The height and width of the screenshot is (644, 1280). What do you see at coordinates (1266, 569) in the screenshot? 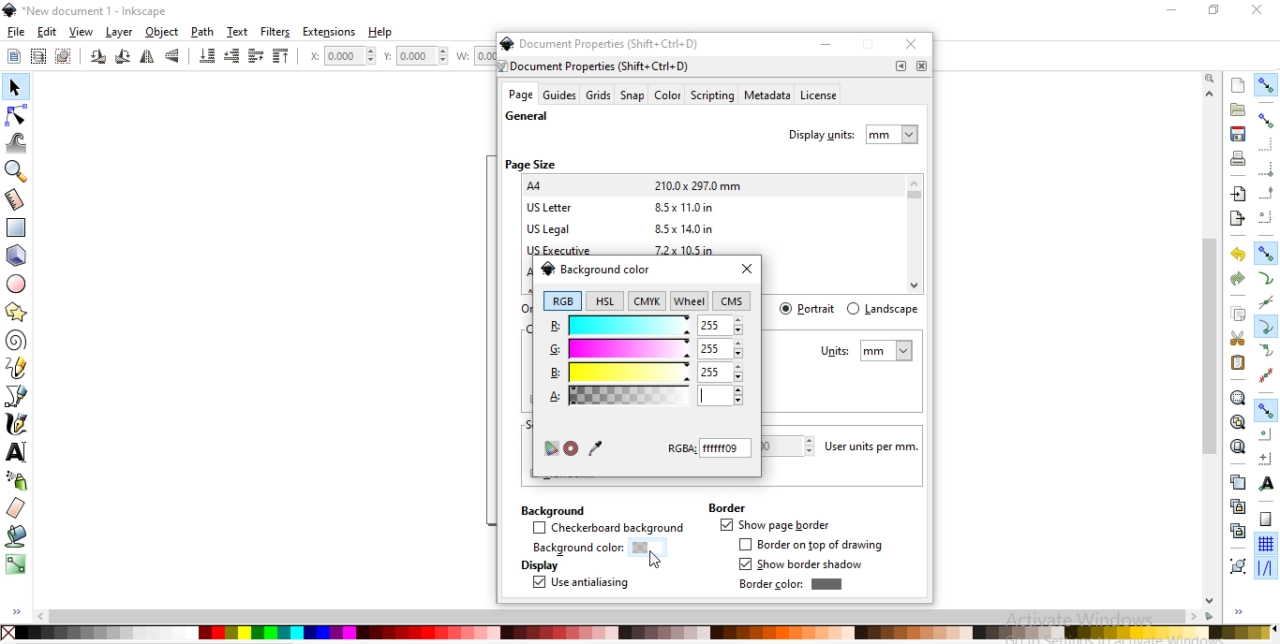
I see `snap guide` at bounding box center [1266, 569].